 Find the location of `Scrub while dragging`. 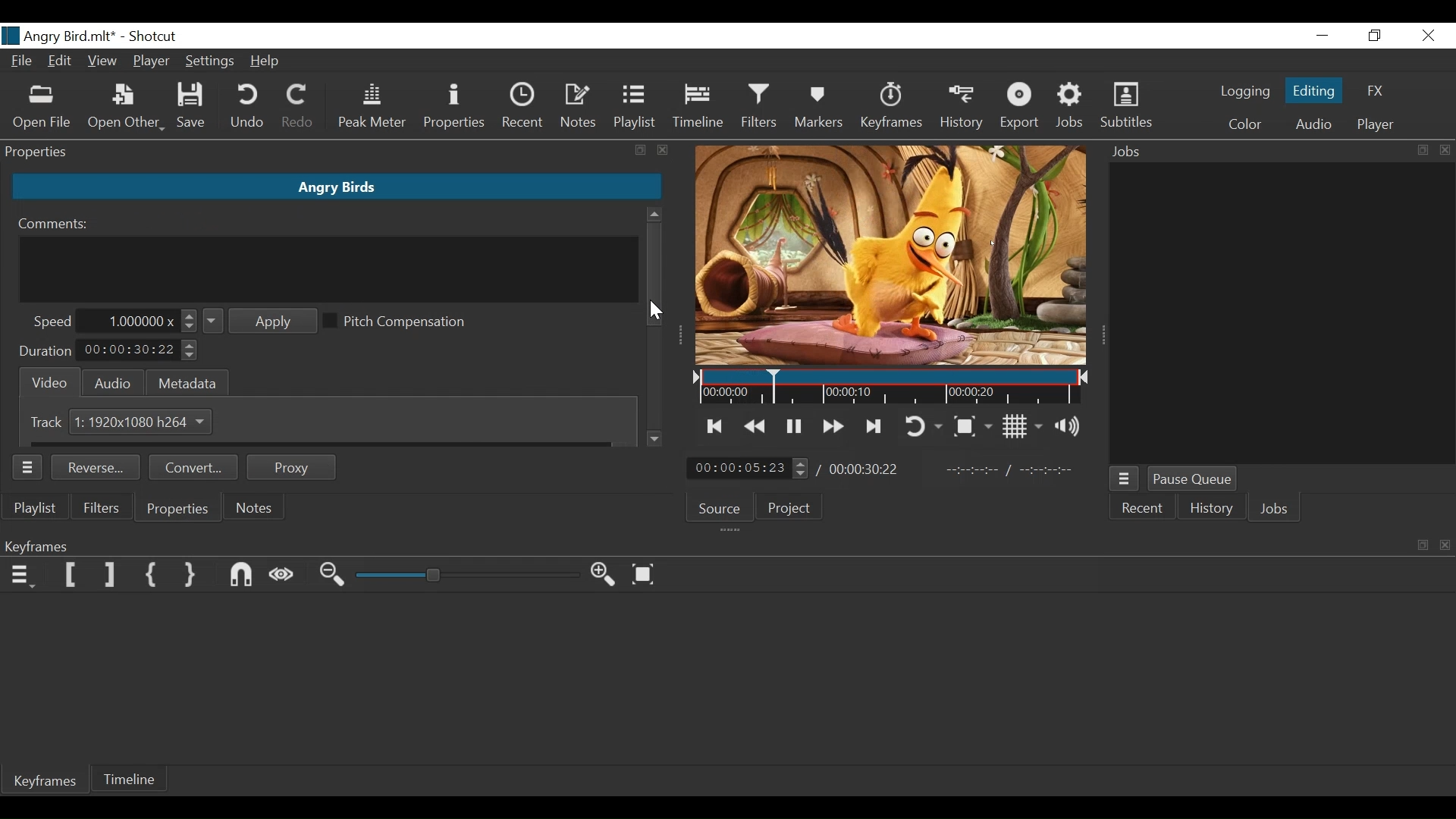

Scrub while dragging is located at coordinates (283, 576).